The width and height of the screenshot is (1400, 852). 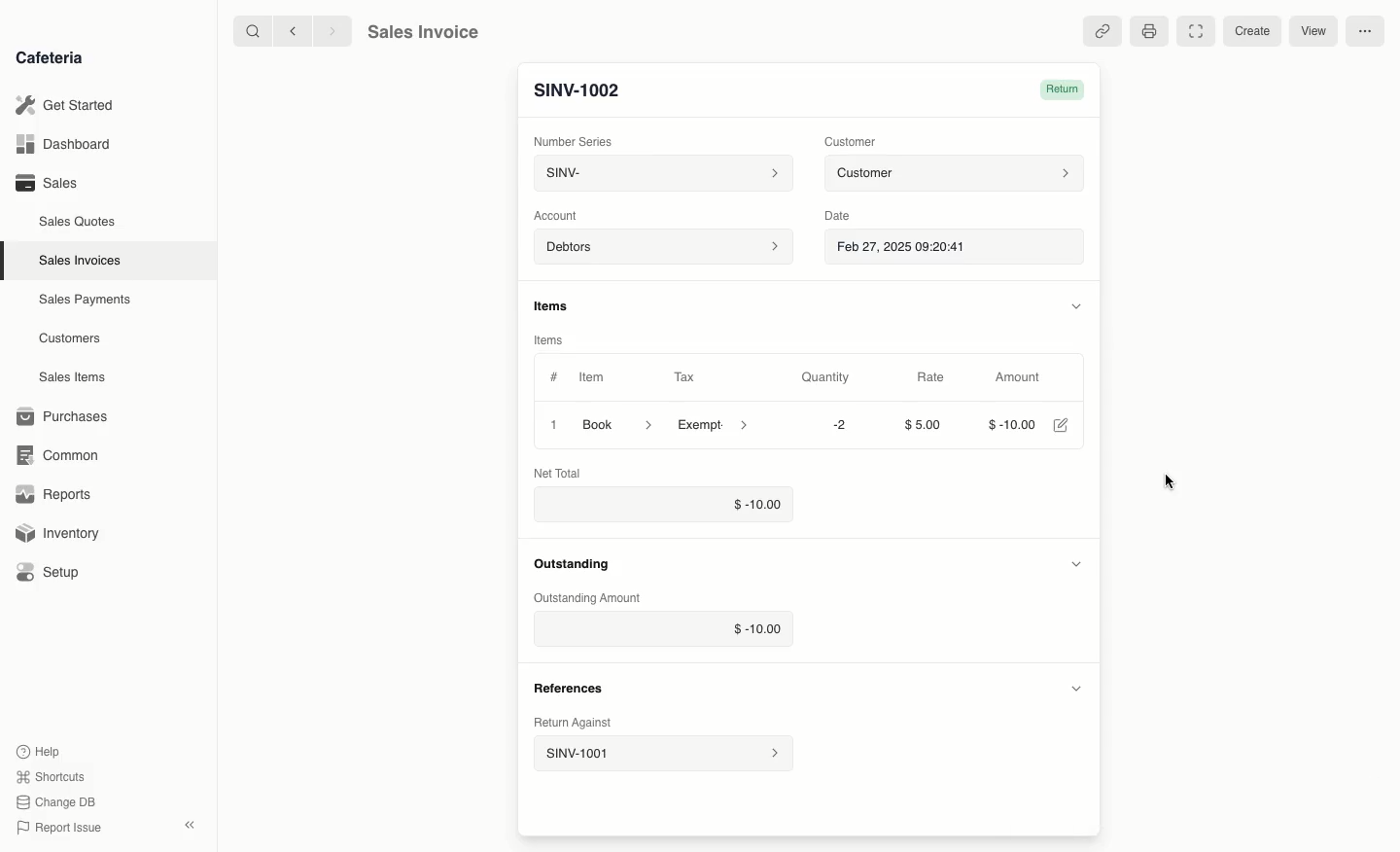 What do you see at coordinates (833, 425) in the screenshot?
I see `-2` at bounding box center [833, 425].